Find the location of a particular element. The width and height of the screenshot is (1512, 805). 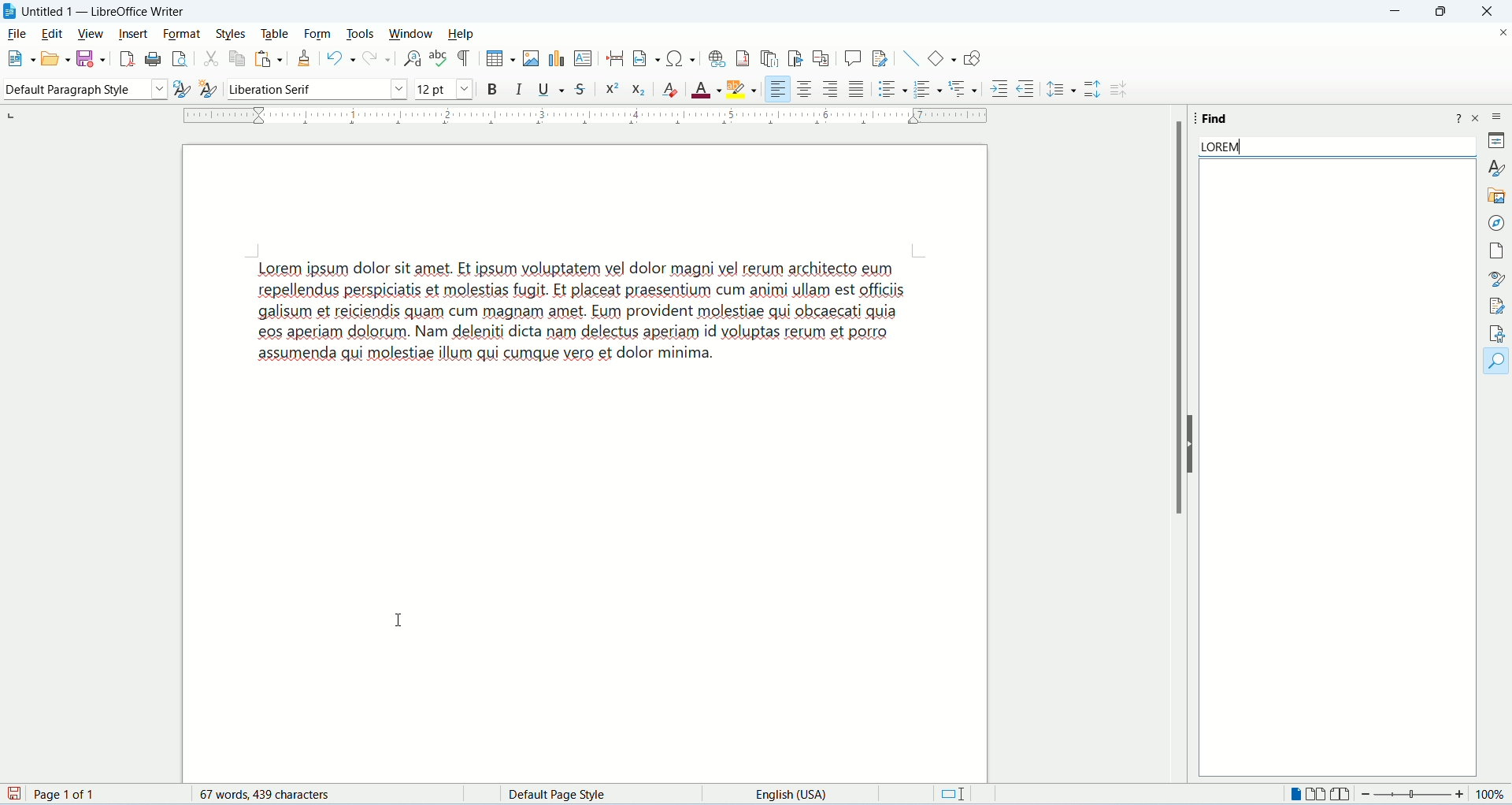

Untitled 1 - LibreOffice Writer is located at coordinates (102, 11).